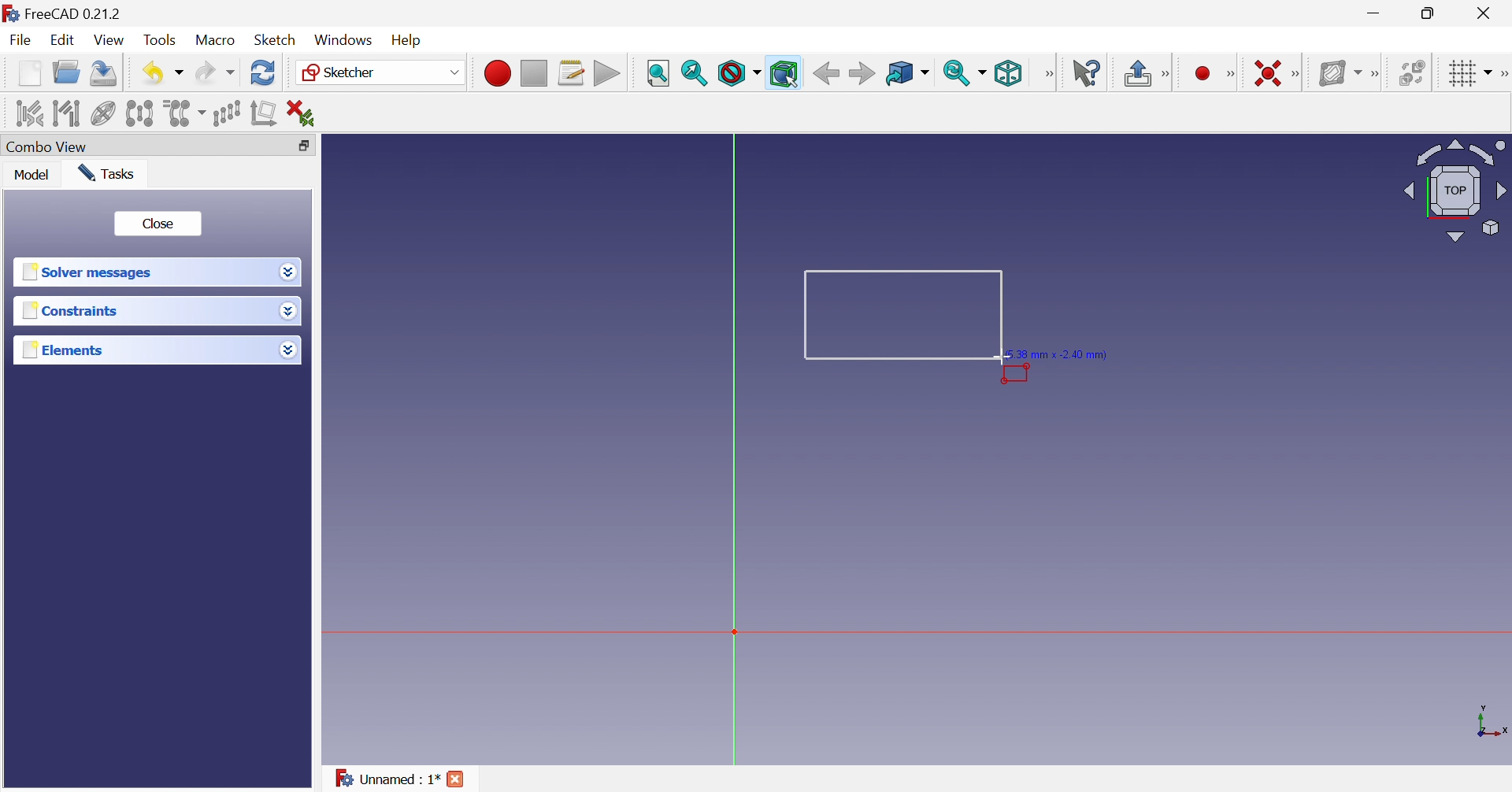 This screenshot has height=792, width=1512. I want to click on Show/hide internal geometry, so click(103, 113).